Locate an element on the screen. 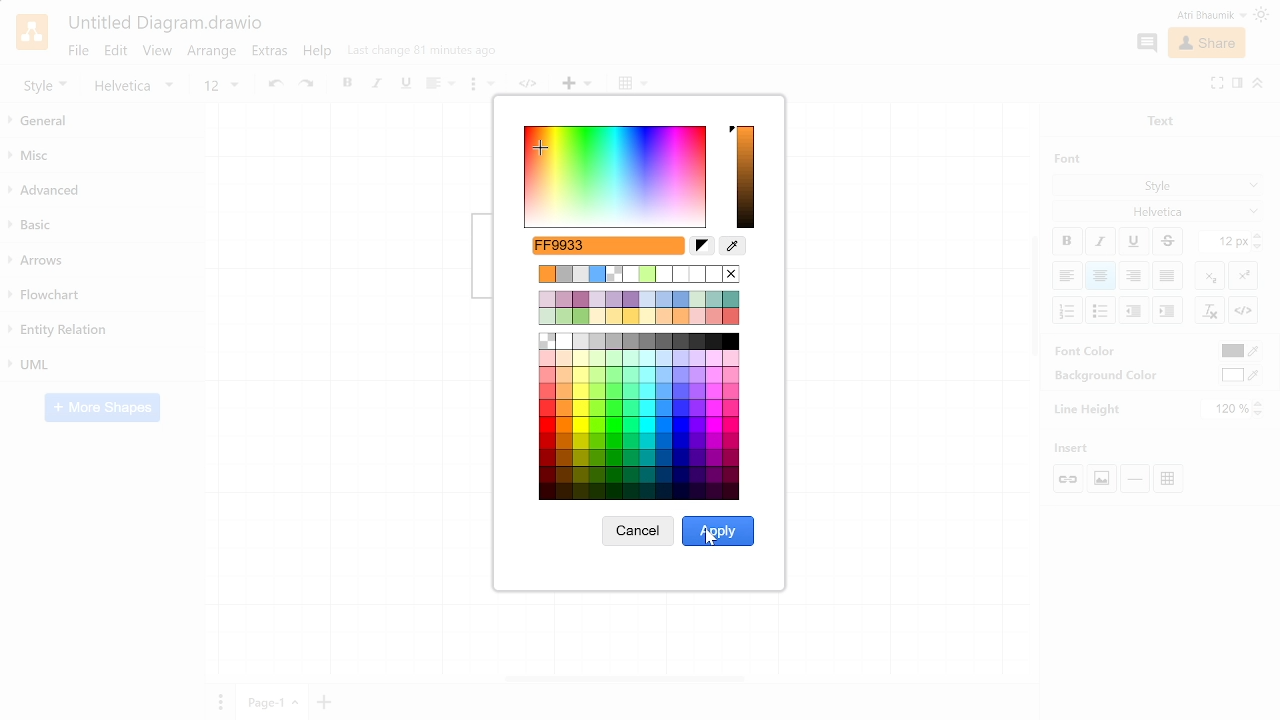 The image size is (1280, 720). Font family is located at coordinates (1159, 210).